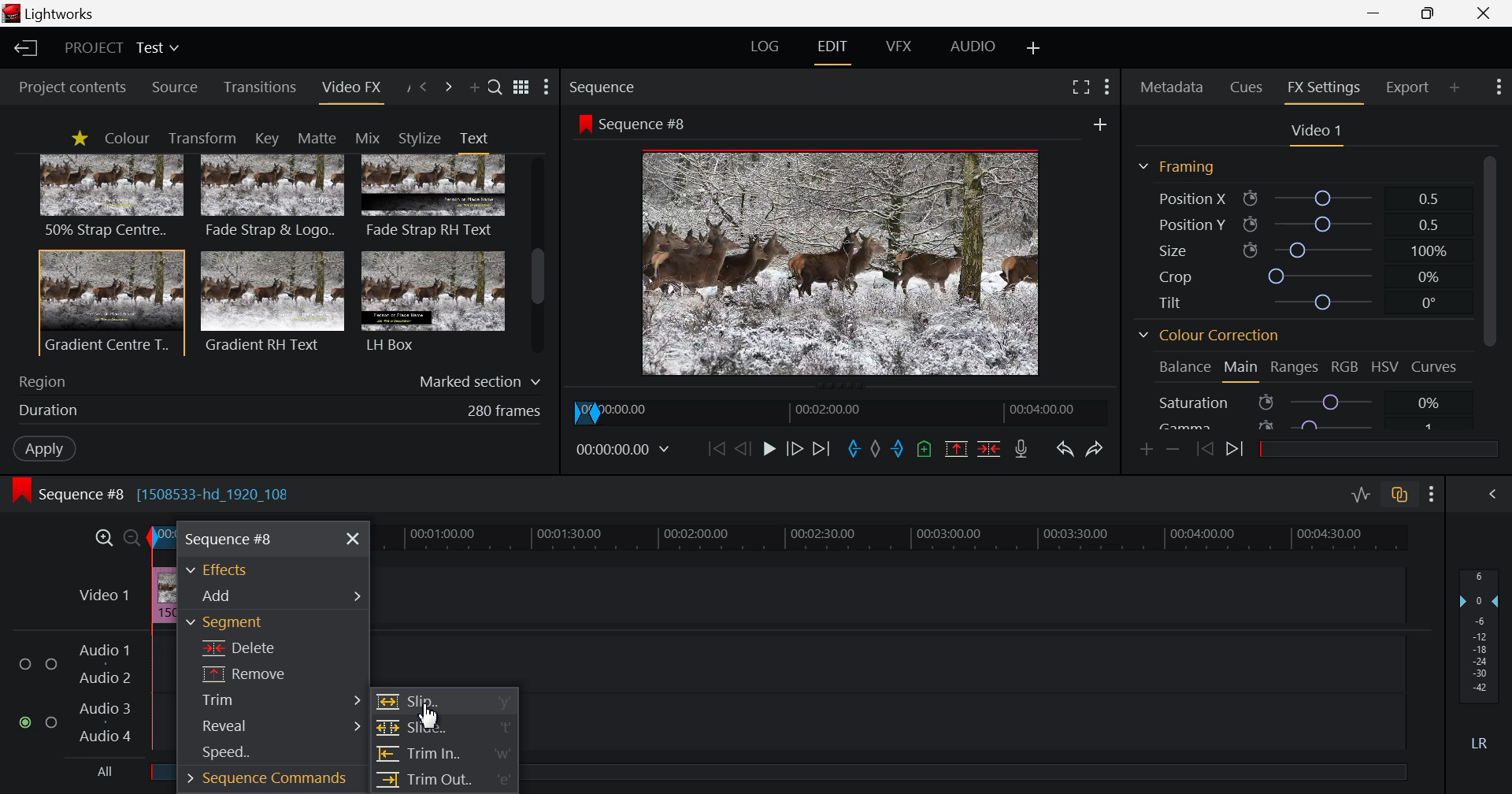 The width and height of the screenshot is (1512, 794). I want to click on To End, so click(823, 448).